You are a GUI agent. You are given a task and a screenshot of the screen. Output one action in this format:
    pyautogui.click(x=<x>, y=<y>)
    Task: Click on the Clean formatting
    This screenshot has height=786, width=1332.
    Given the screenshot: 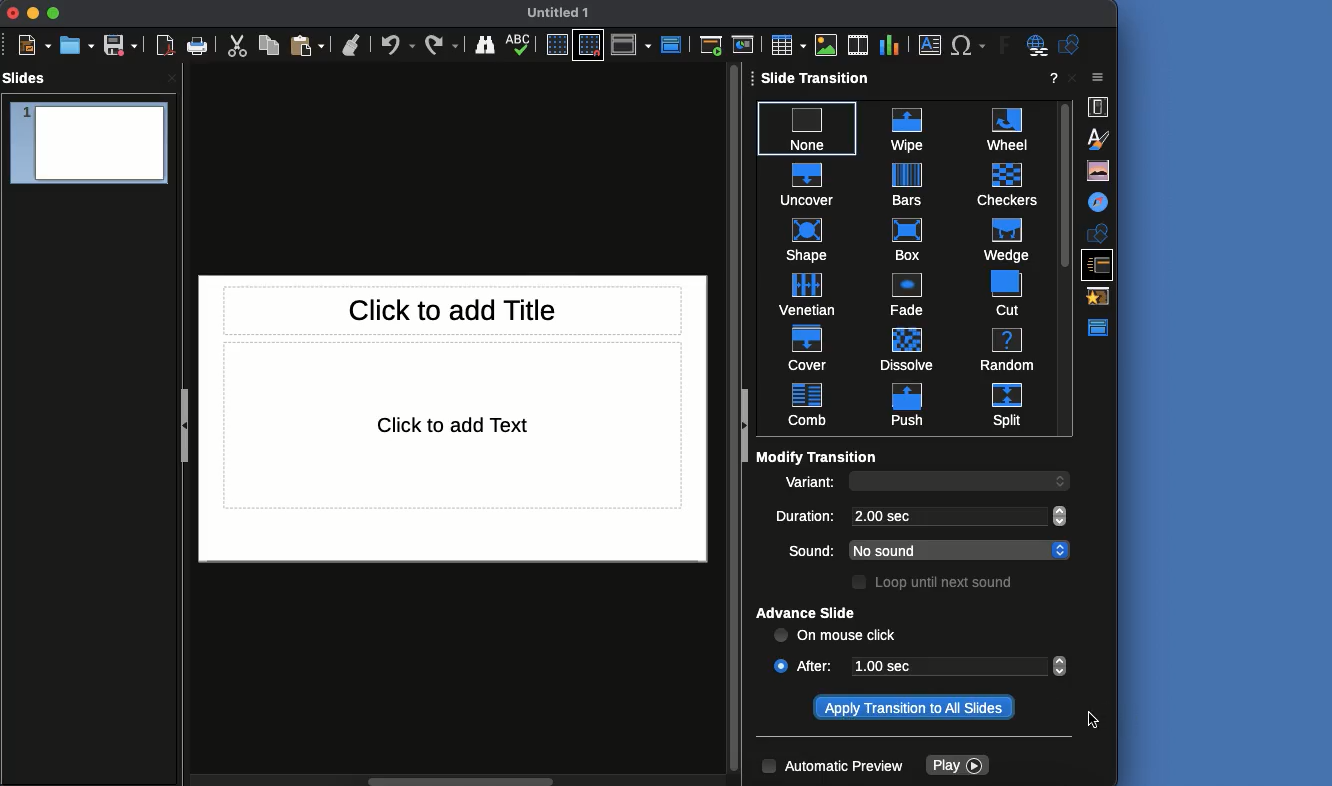 What is the action you would take?
    pyautogui.click(x=354, y=44)
    